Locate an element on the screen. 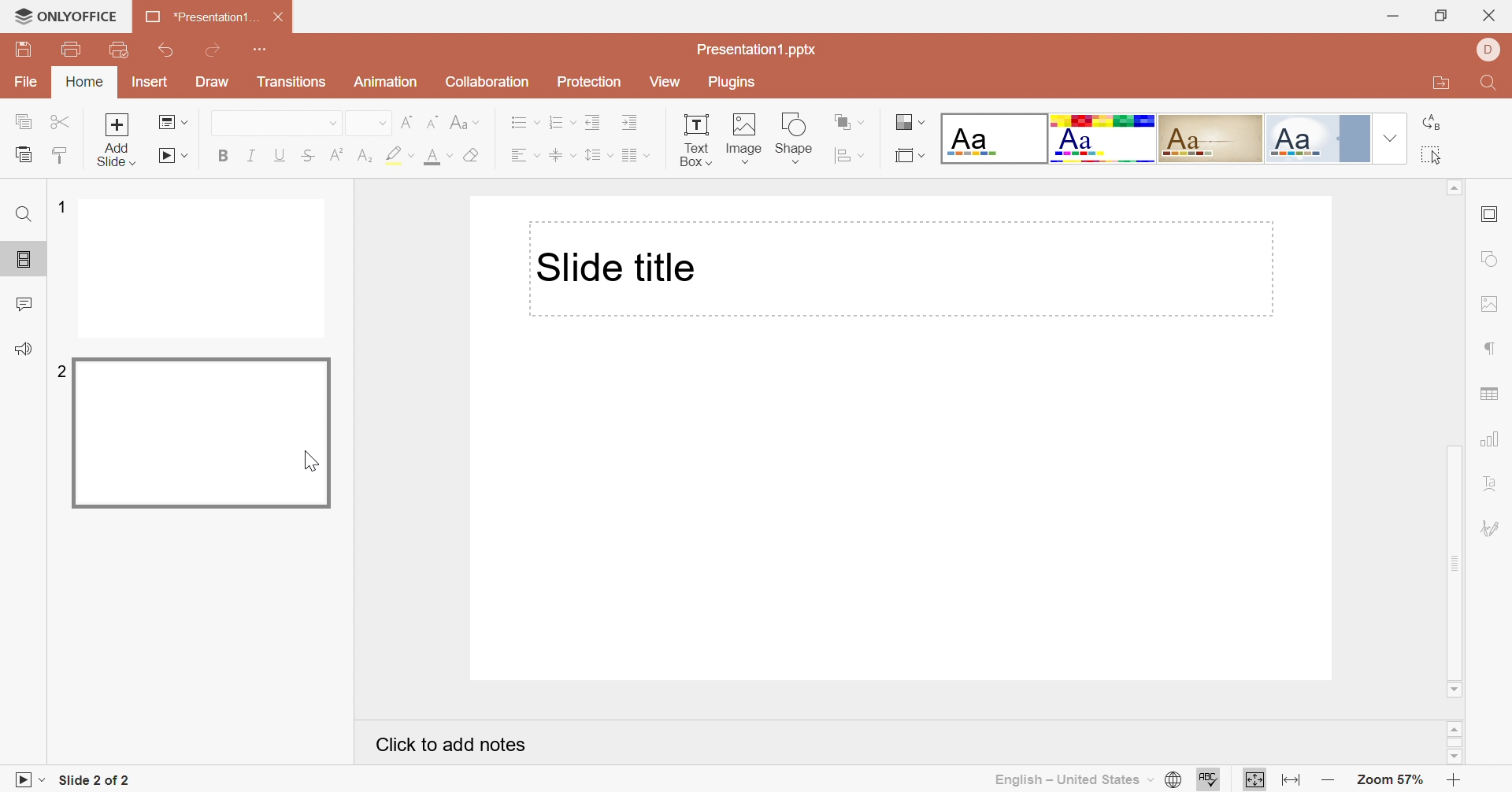 The image size is (1512, 792). Select all is located at coordinates (1430, 154).